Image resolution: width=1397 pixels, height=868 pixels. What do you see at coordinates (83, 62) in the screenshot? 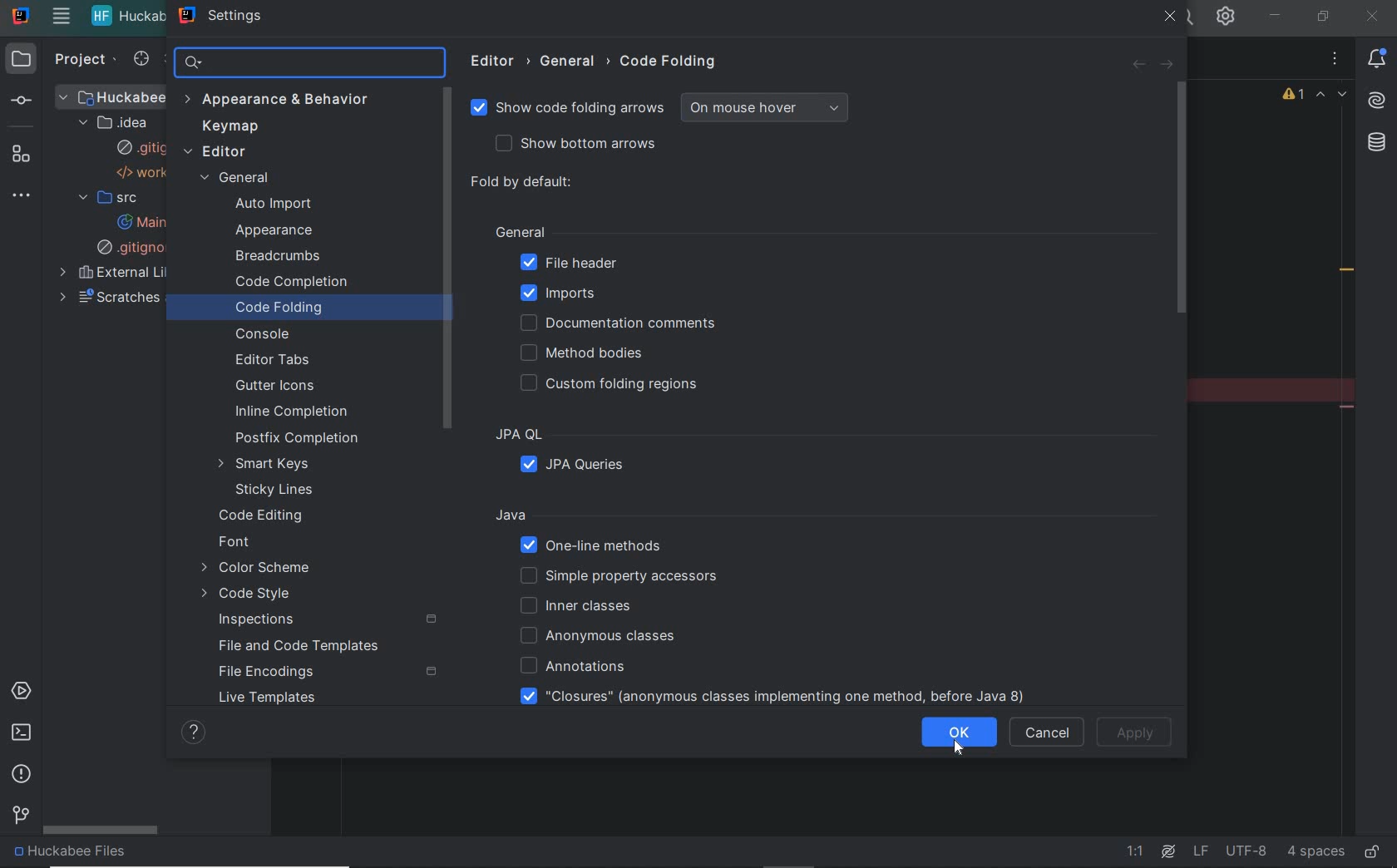
I see `project` at bounding box center [83, 62].